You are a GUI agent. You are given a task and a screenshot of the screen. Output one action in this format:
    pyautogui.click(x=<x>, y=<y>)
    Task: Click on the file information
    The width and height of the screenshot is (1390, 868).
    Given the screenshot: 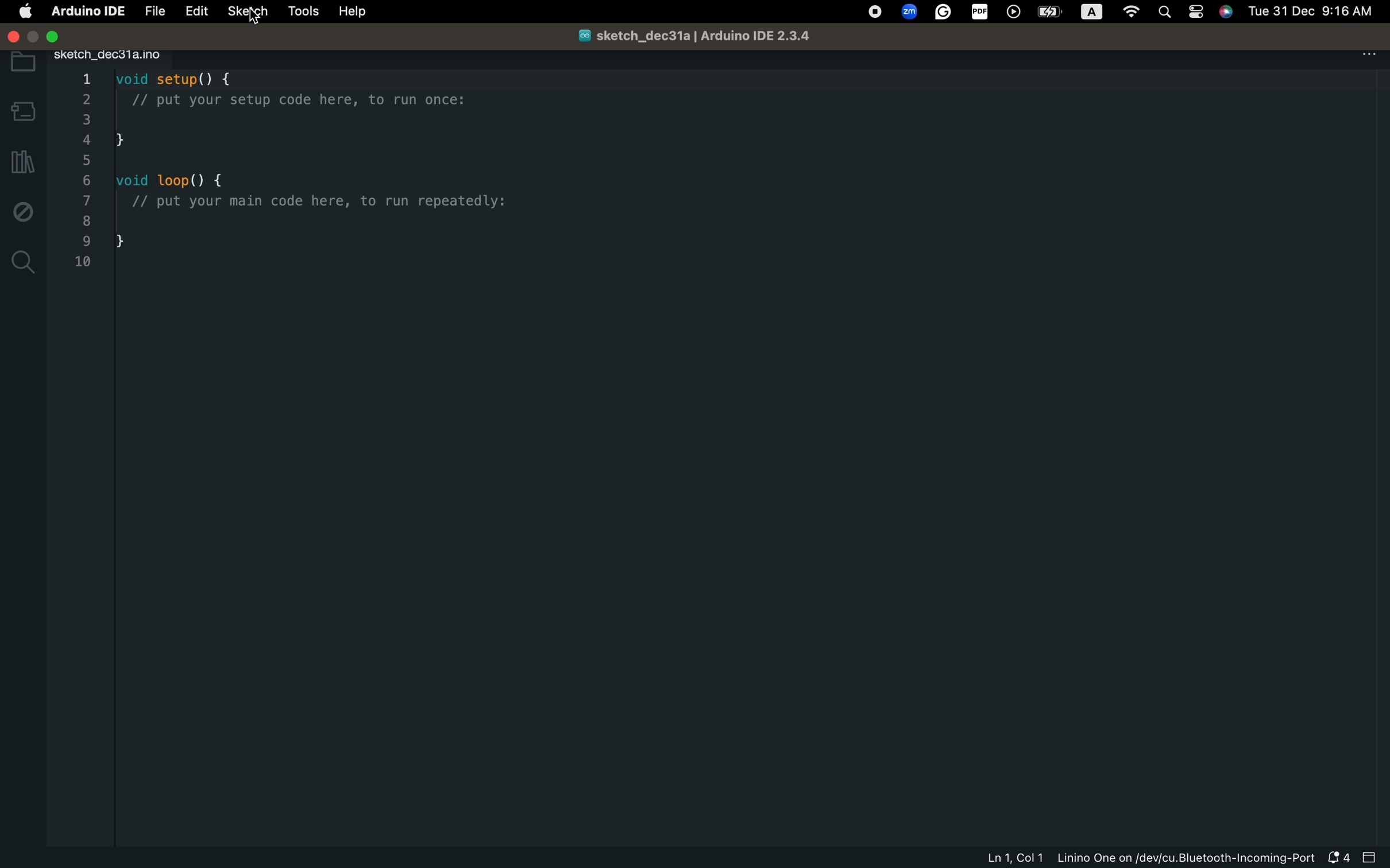 What is the action you would take?
    pyautogui.click(x=1144, y=859)
    